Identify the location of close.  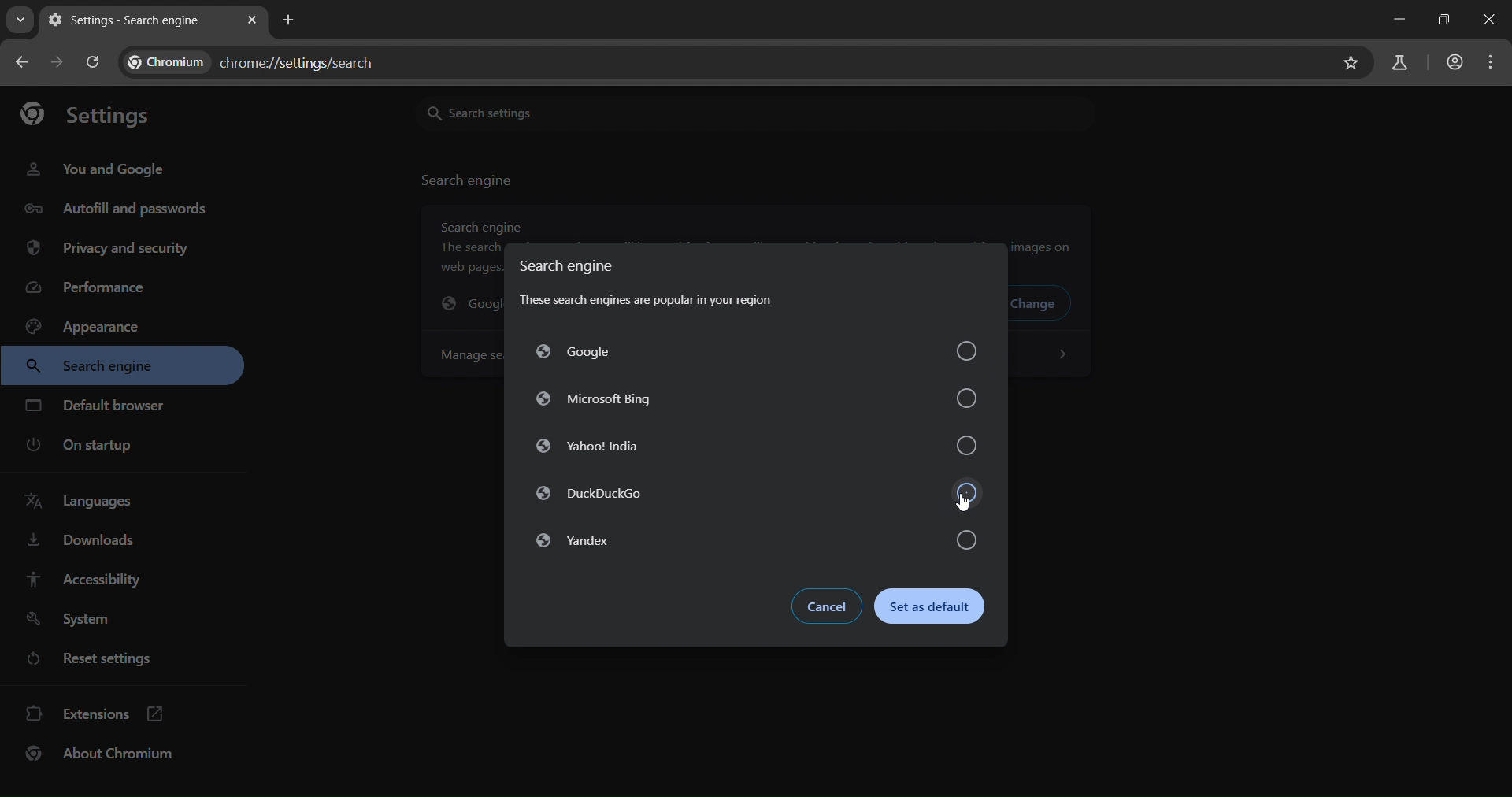
(1492, 19).